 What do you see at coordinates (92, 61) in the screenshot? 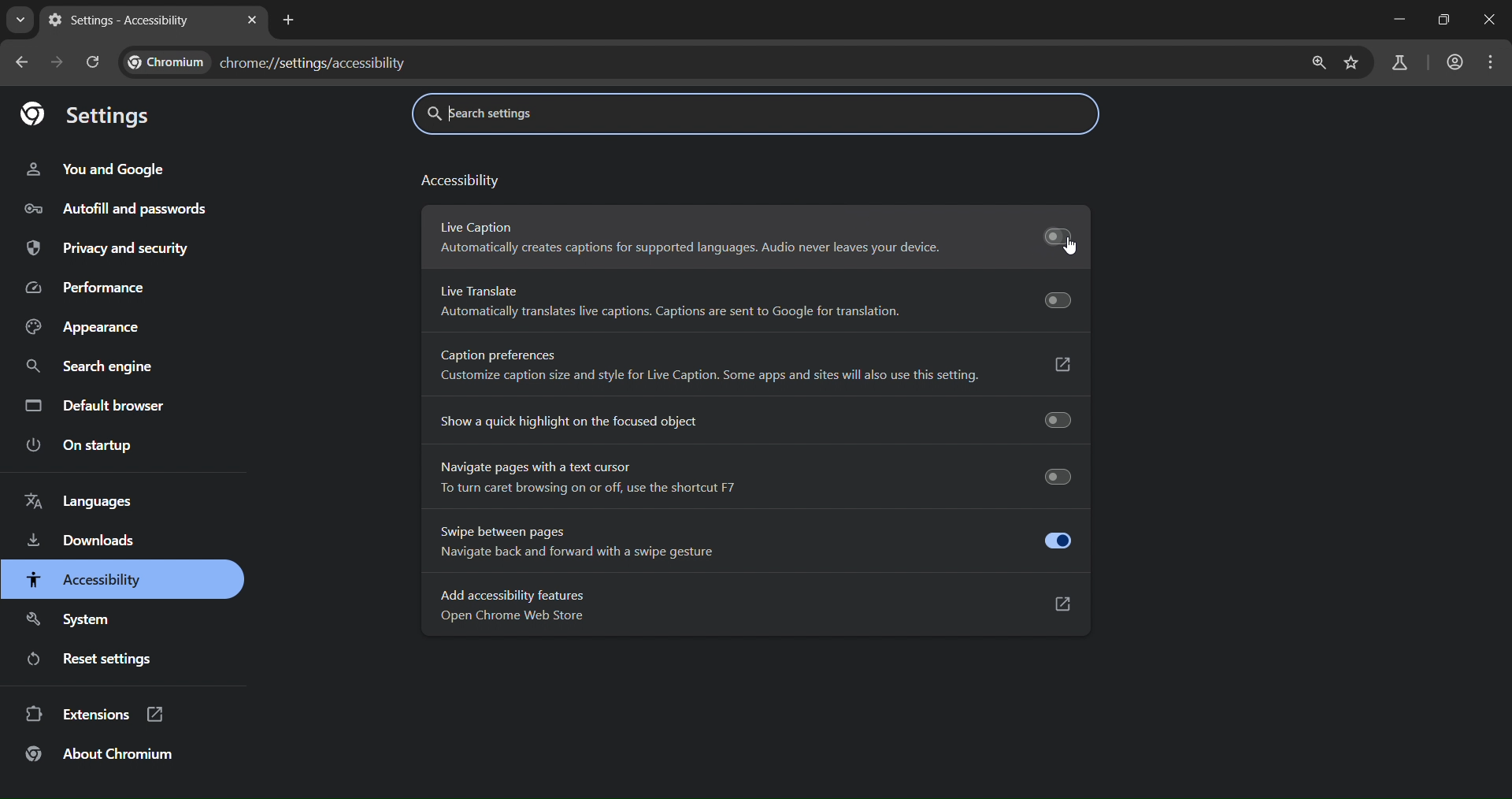
I see `reload page` at bounding box center [92, 61].